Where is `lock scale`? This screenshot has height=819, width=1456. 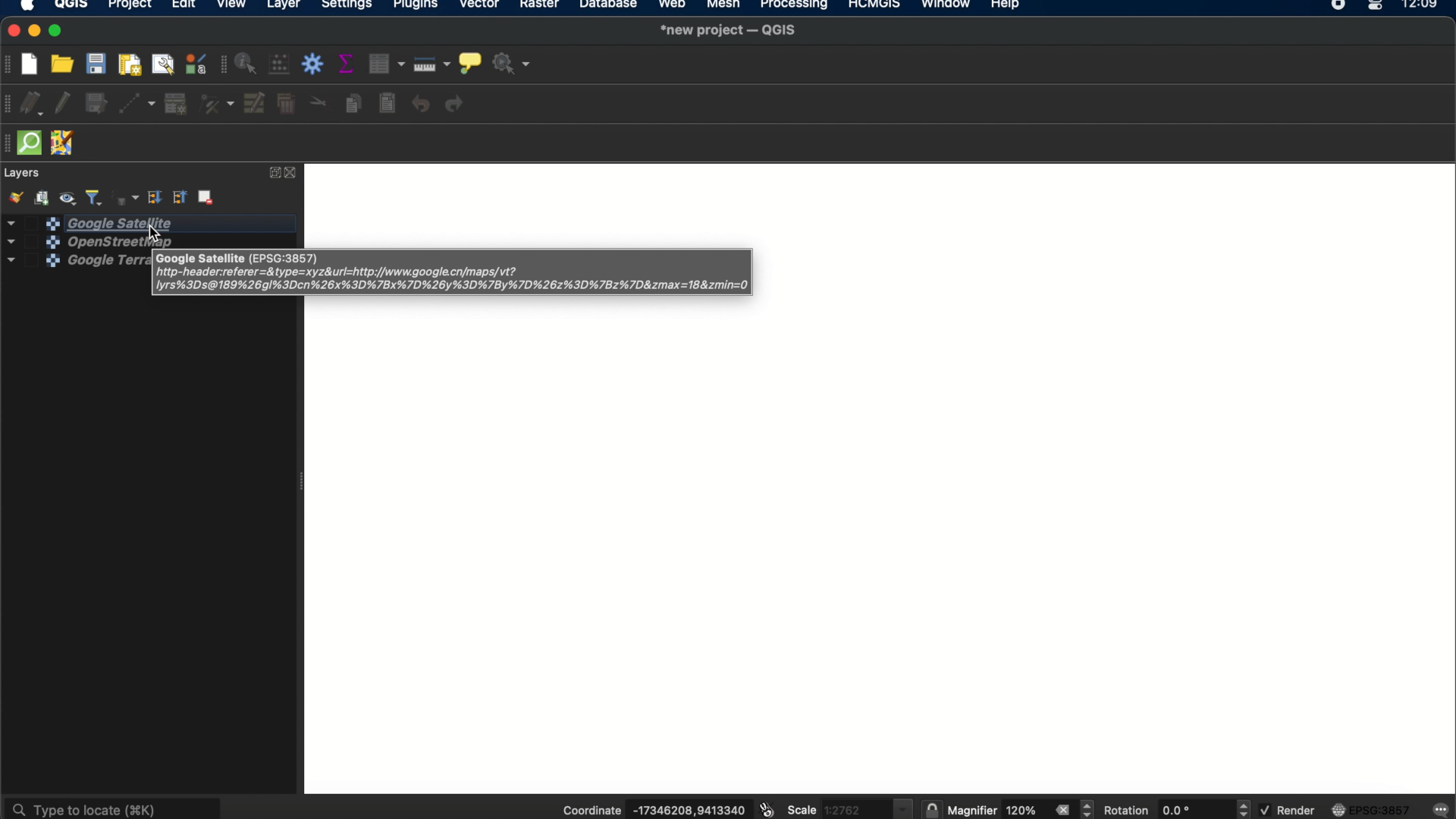
lock scale is located at coordinates (931, 810).